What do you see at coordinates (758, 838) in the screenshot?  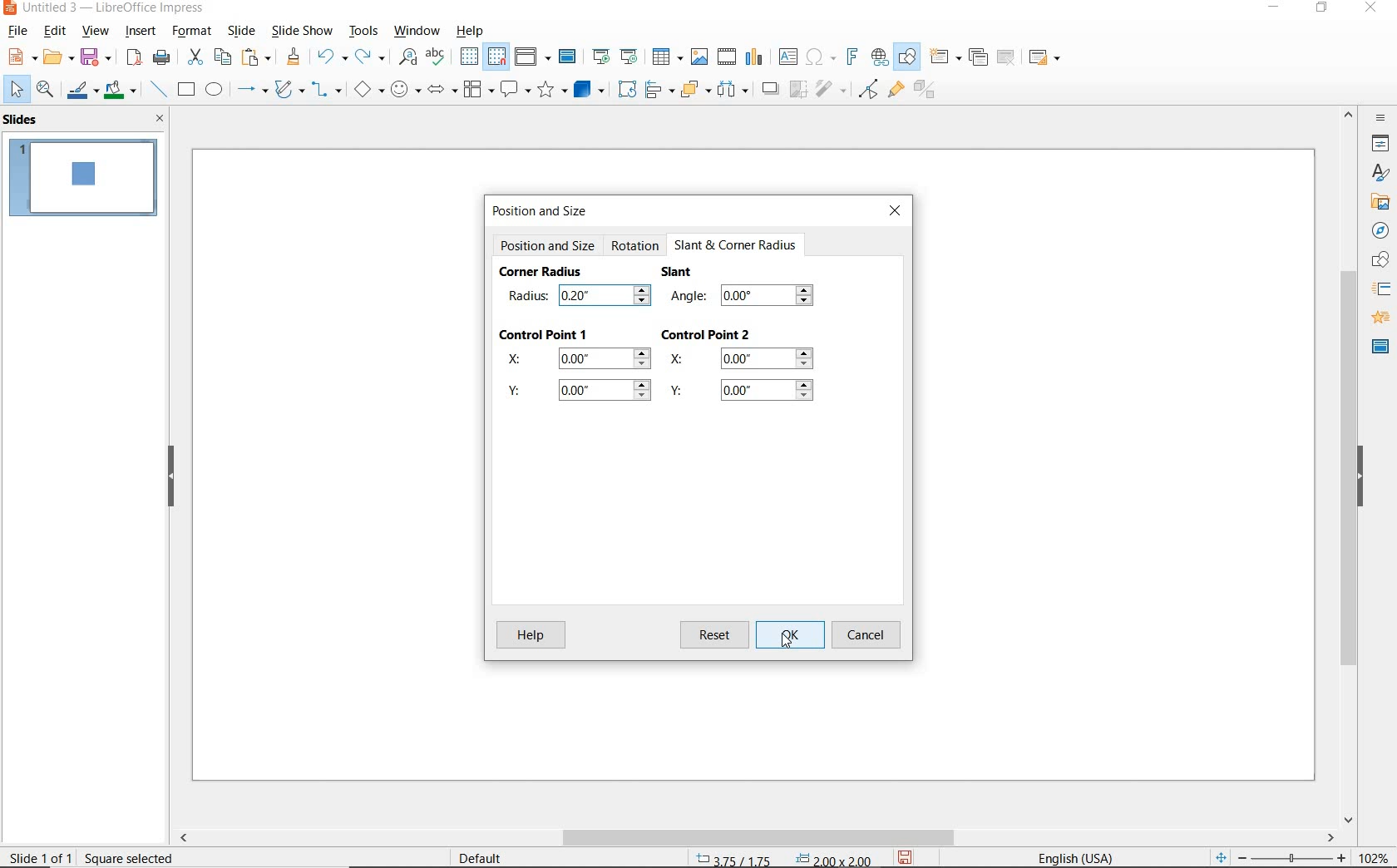 I see `scrollbar` at bounding box center [758, 838].